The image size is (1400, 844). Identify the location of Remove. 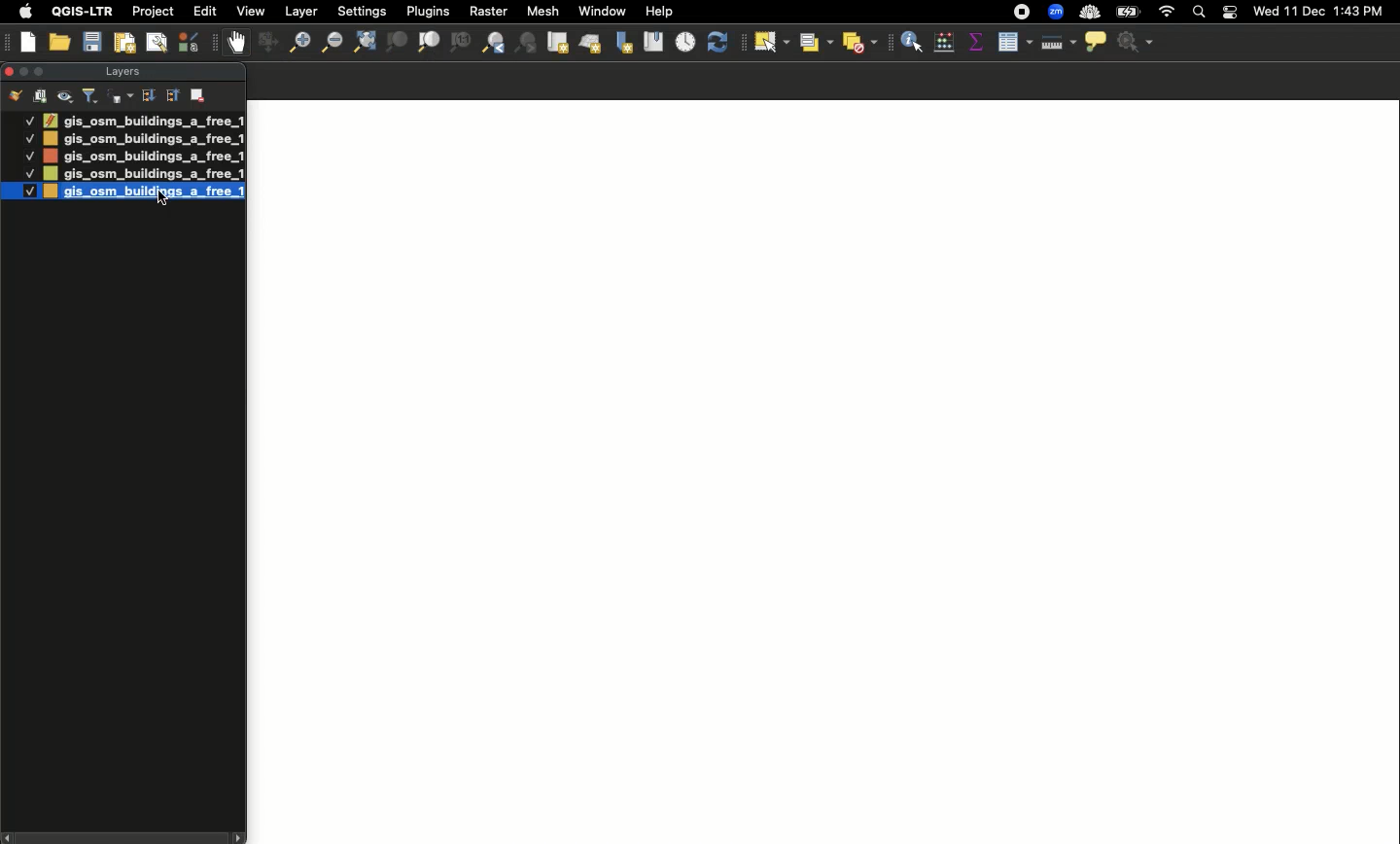
(199, 93).